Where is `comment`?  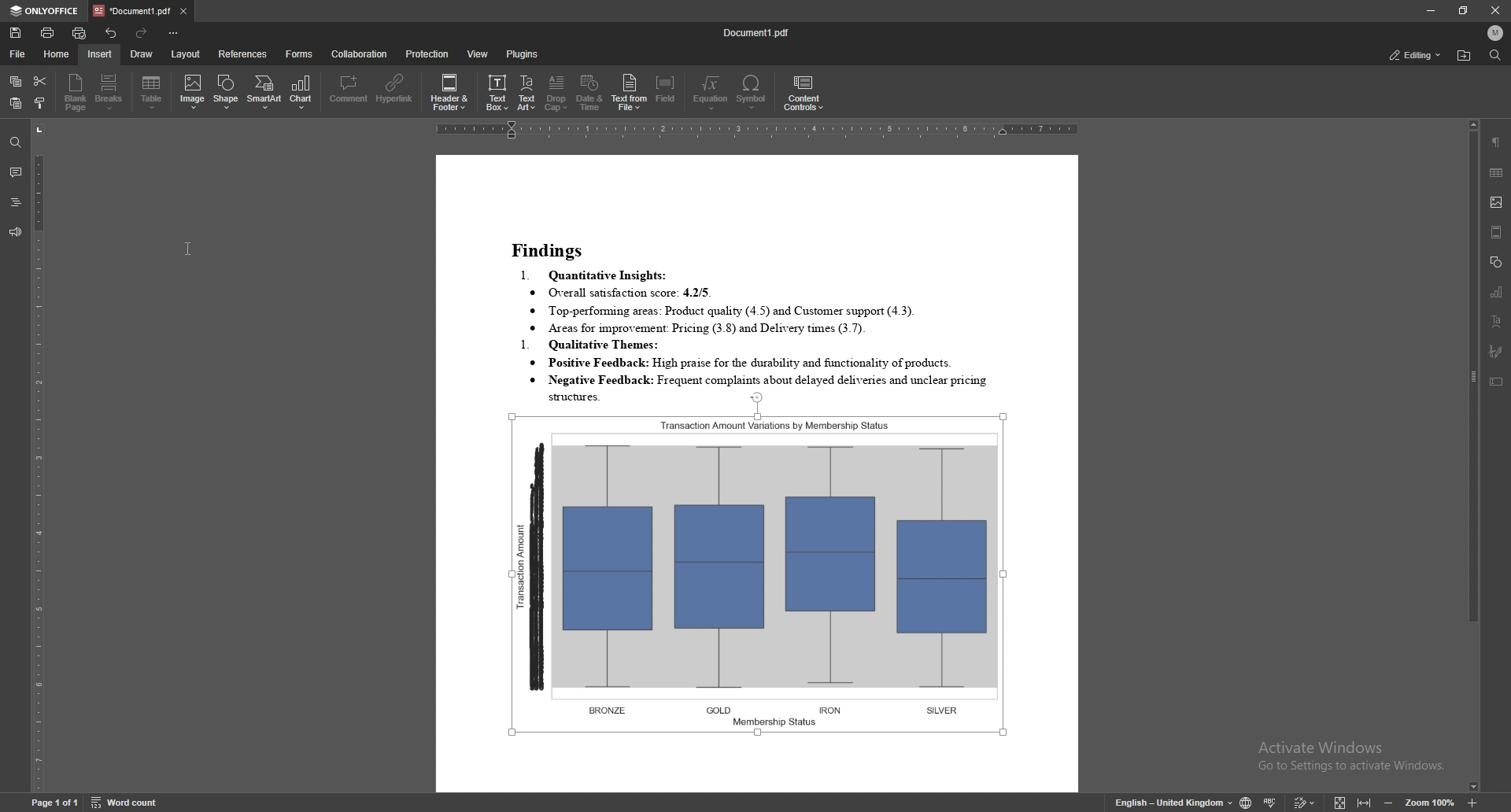 comment is located at coordinates (16, 174).